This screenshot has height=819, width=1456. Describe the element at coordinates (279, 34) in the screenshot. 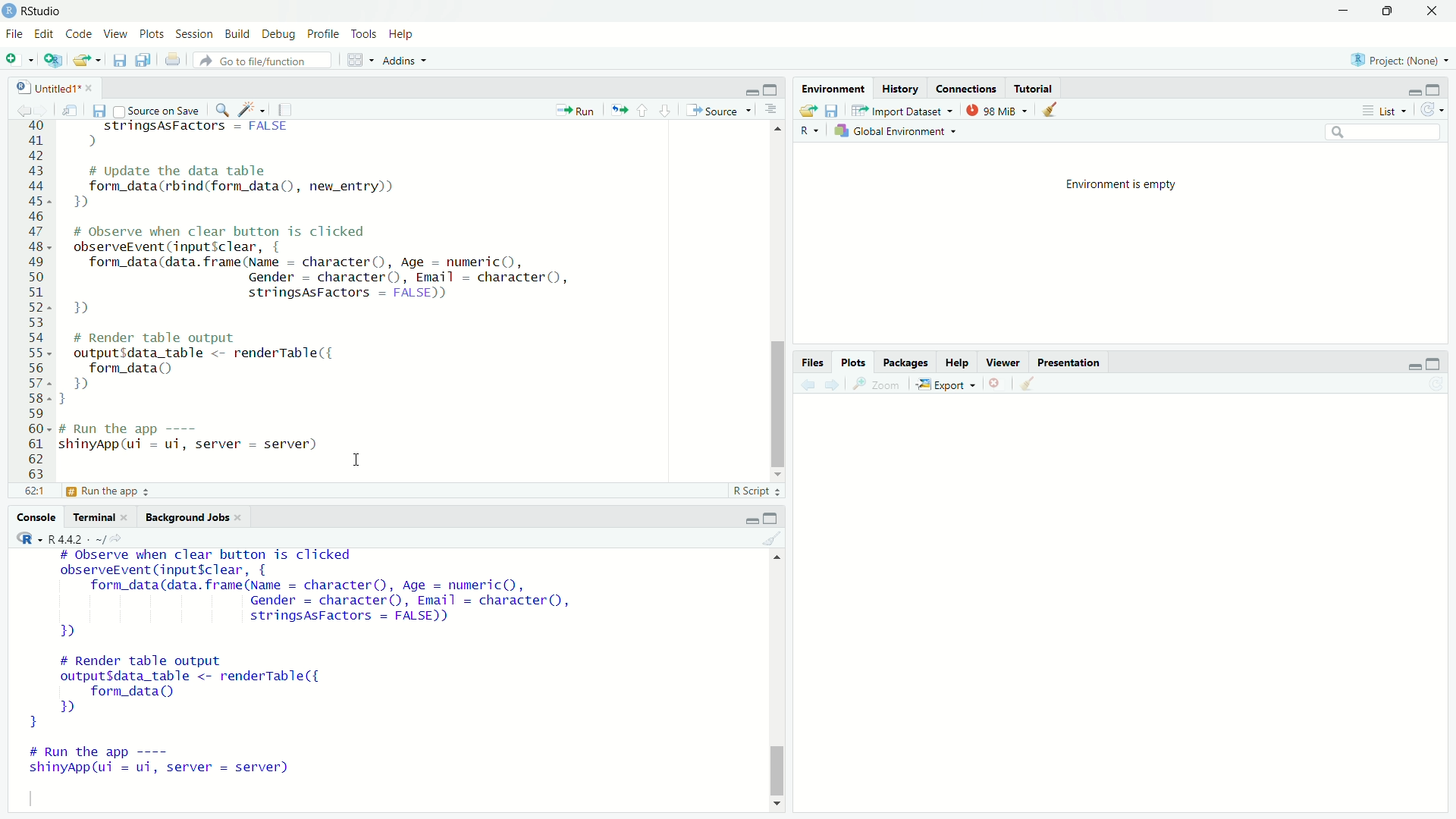

I see `Debug` at that location.